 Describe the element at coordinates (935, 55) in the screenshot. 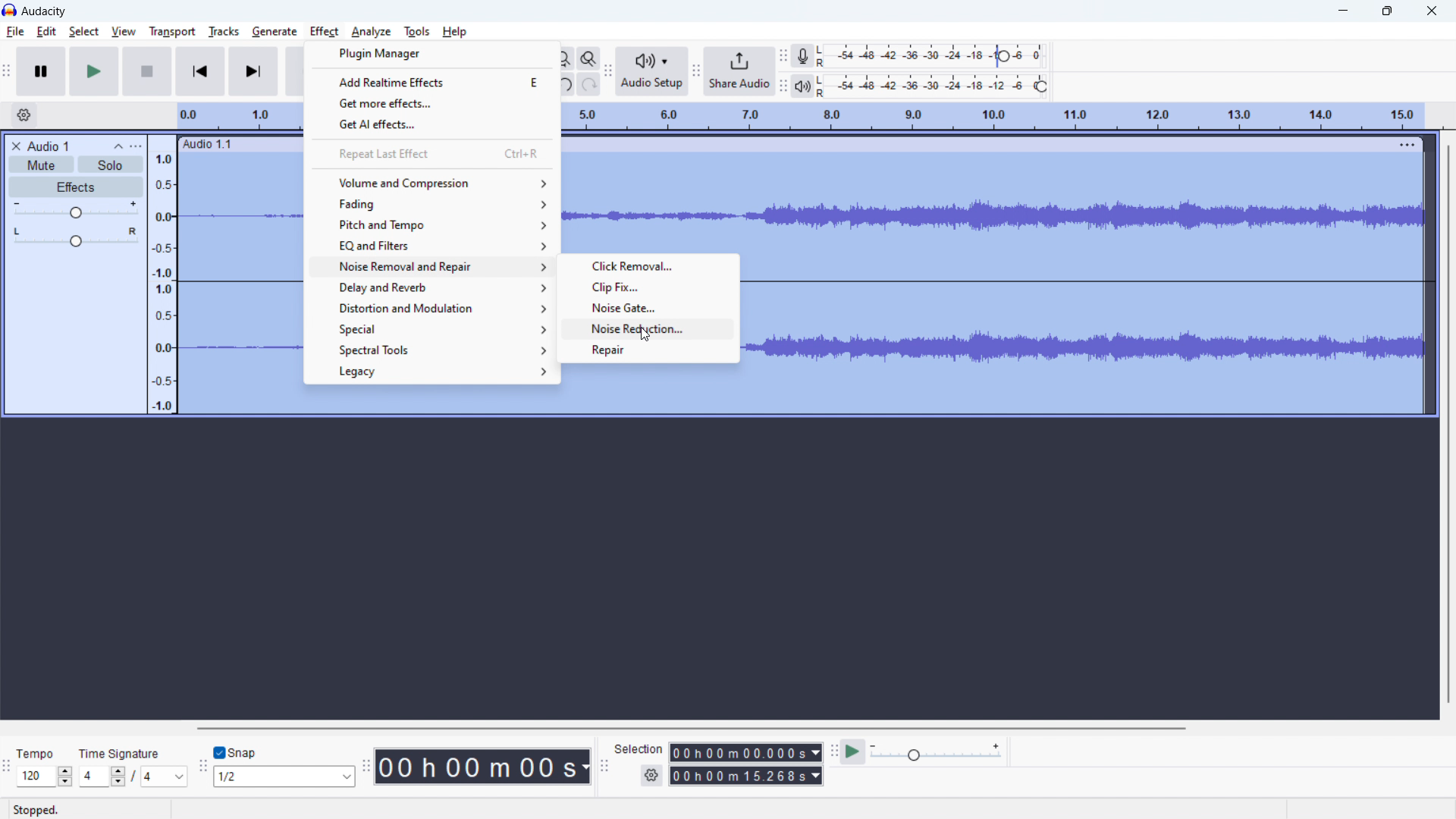

I see `record meter` at that location.